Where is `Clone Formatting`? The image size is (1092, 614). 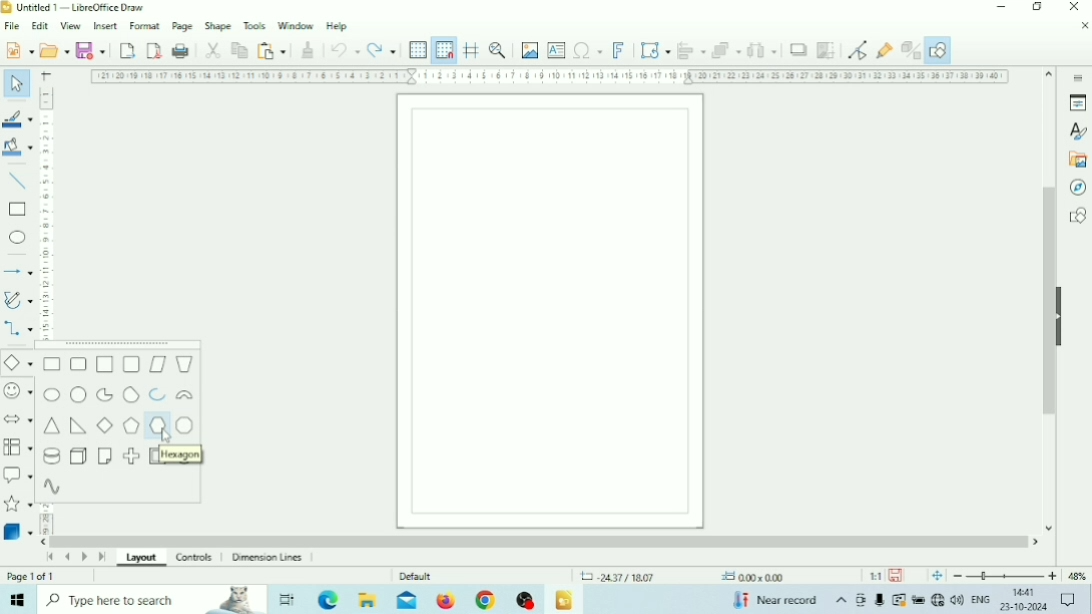 Clone Formatting is located at coordinates (308, 50).